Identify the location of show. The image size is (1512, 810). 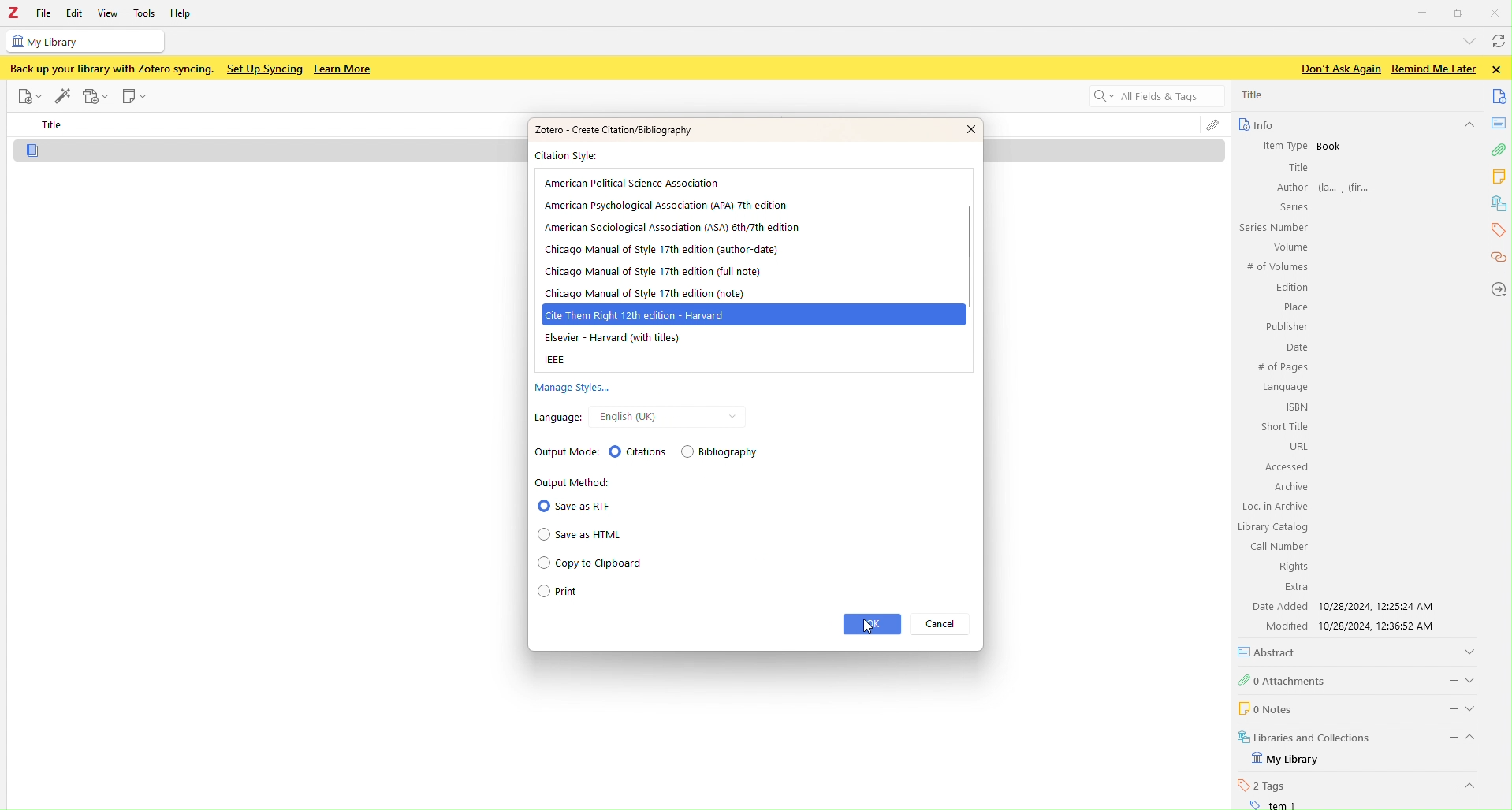
(1476, 786).